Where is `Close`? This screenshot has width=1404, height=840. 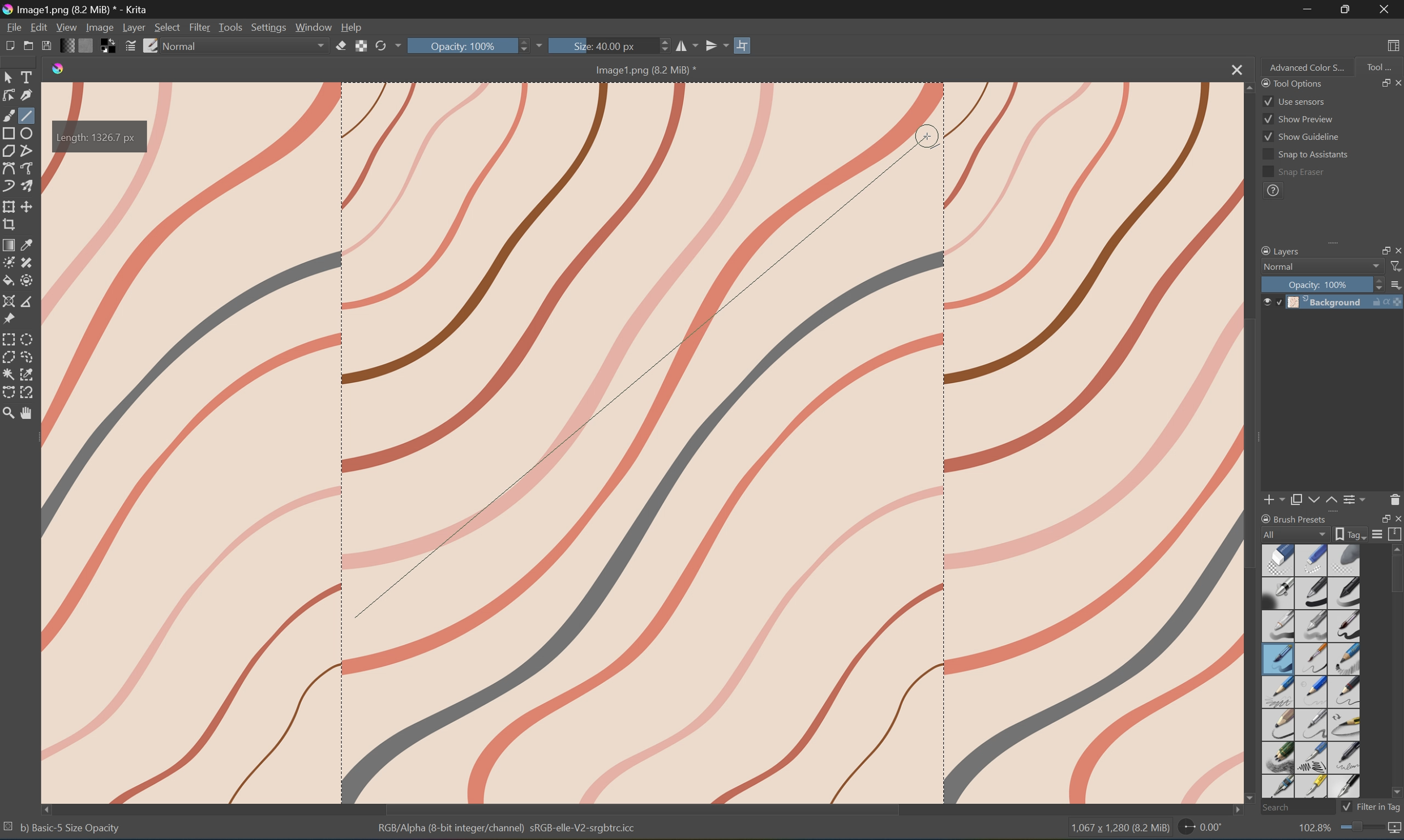
Close is located at coordinates (1396, 250).